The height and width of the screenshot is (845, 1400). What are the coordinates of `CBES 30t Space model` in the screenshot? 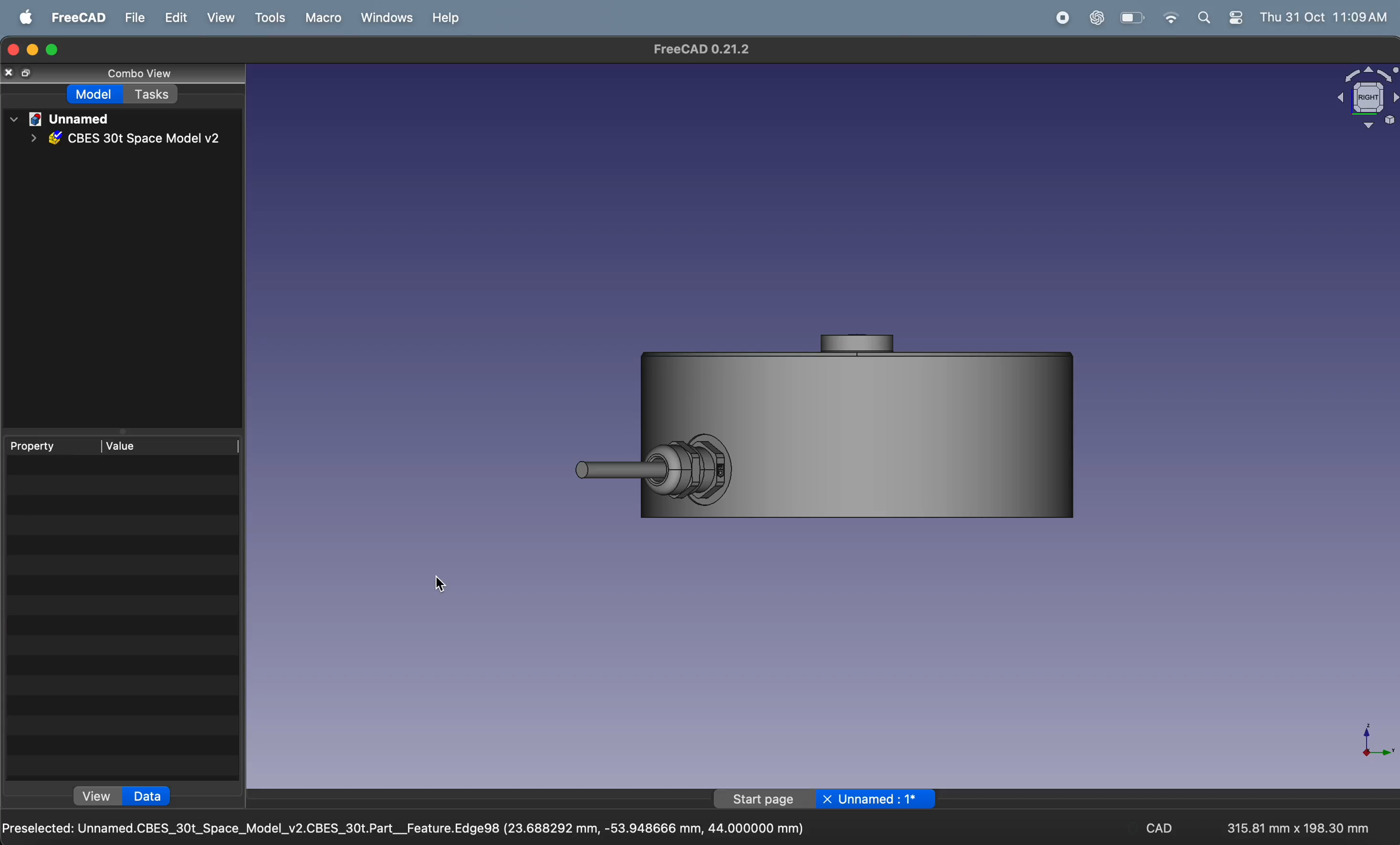 It's located at (130, 140).